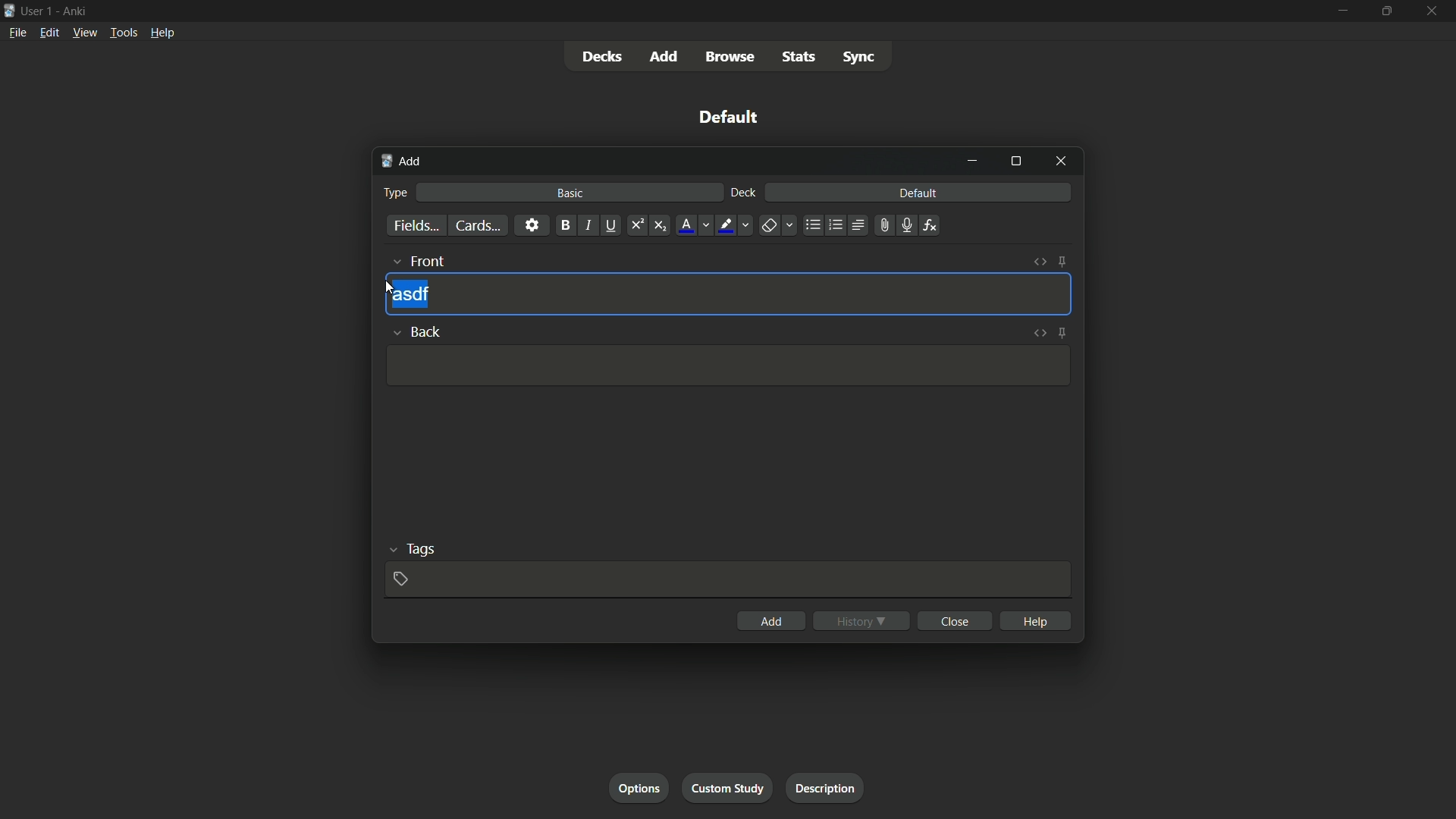  What do you see at coordinates (417, 260) in the screenshot?
I see `front` at bounding box center [417, 260].